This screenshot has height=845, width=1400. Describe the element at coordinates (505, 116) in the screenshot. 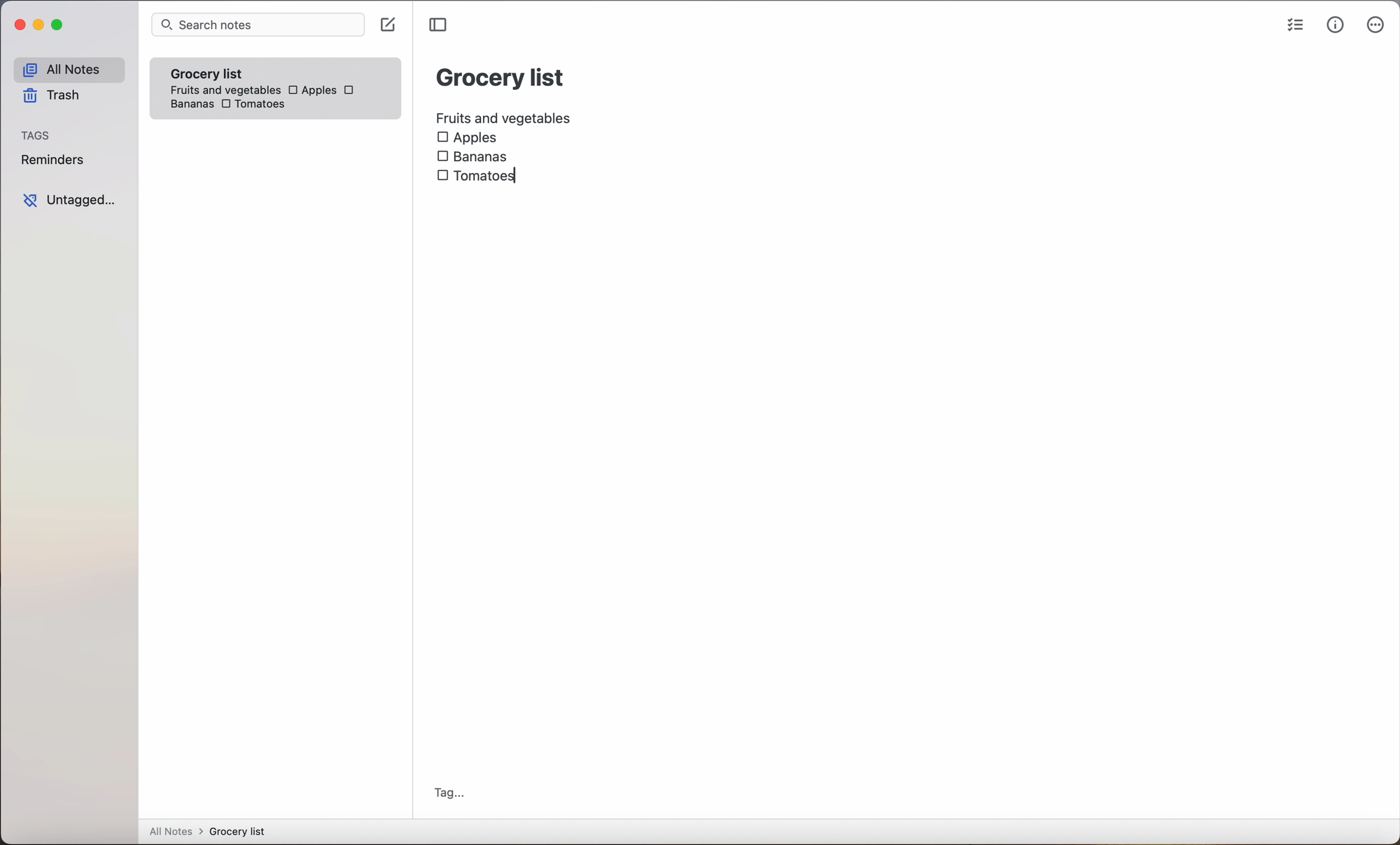

I see `fruits and vegetables` at that location.